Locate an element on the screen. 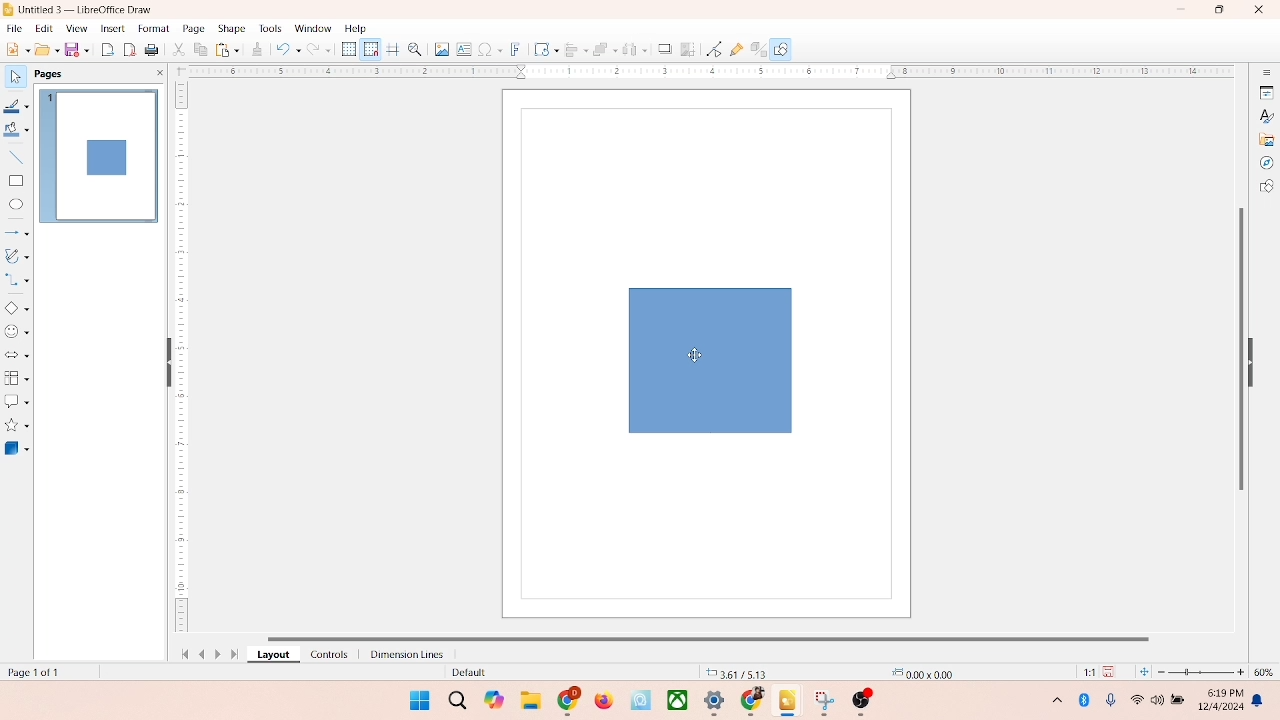  gallery is located at coordinates (1267, 138).